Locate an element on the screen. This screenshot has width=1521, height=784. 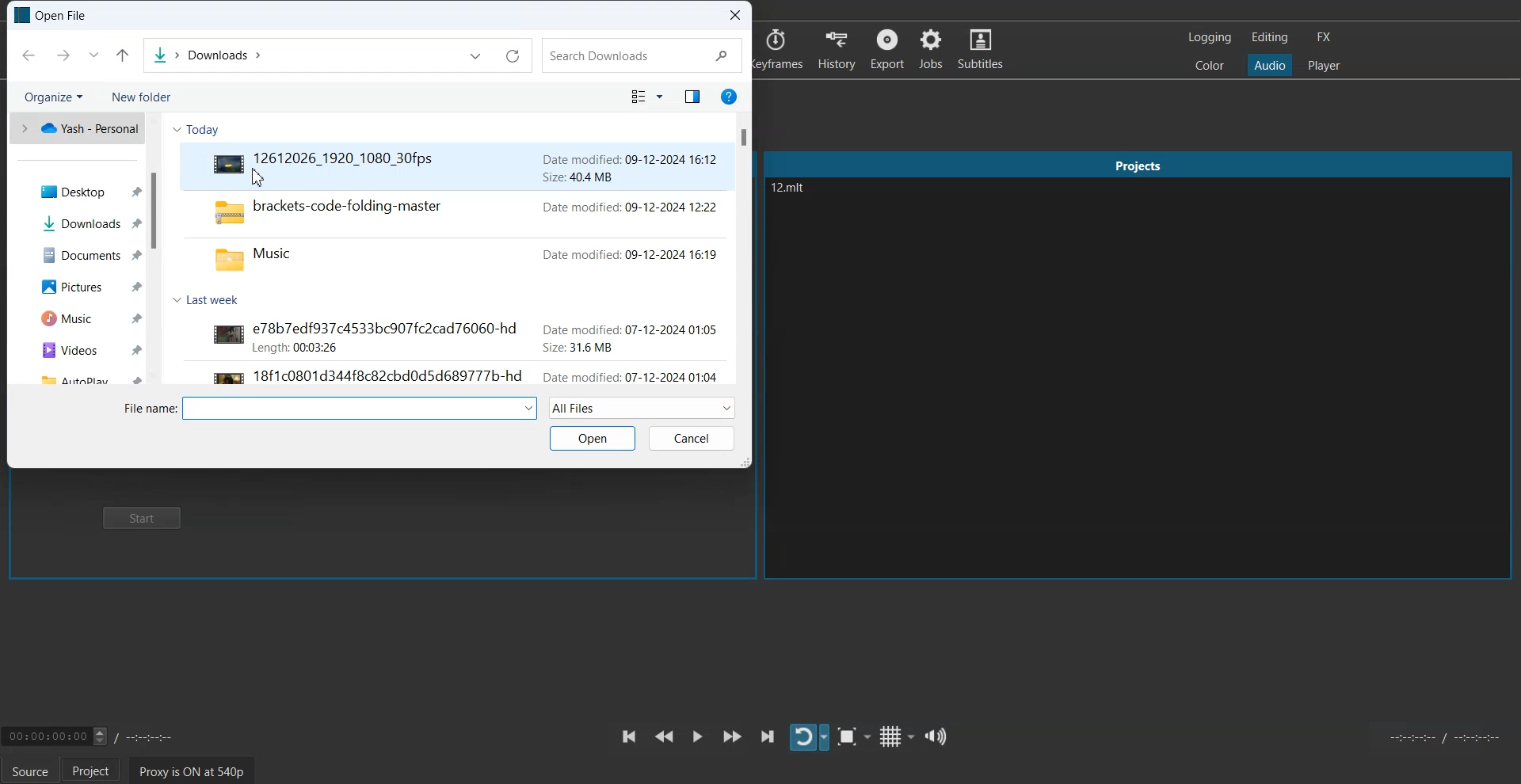
Start is located at coordinates (145, 517).